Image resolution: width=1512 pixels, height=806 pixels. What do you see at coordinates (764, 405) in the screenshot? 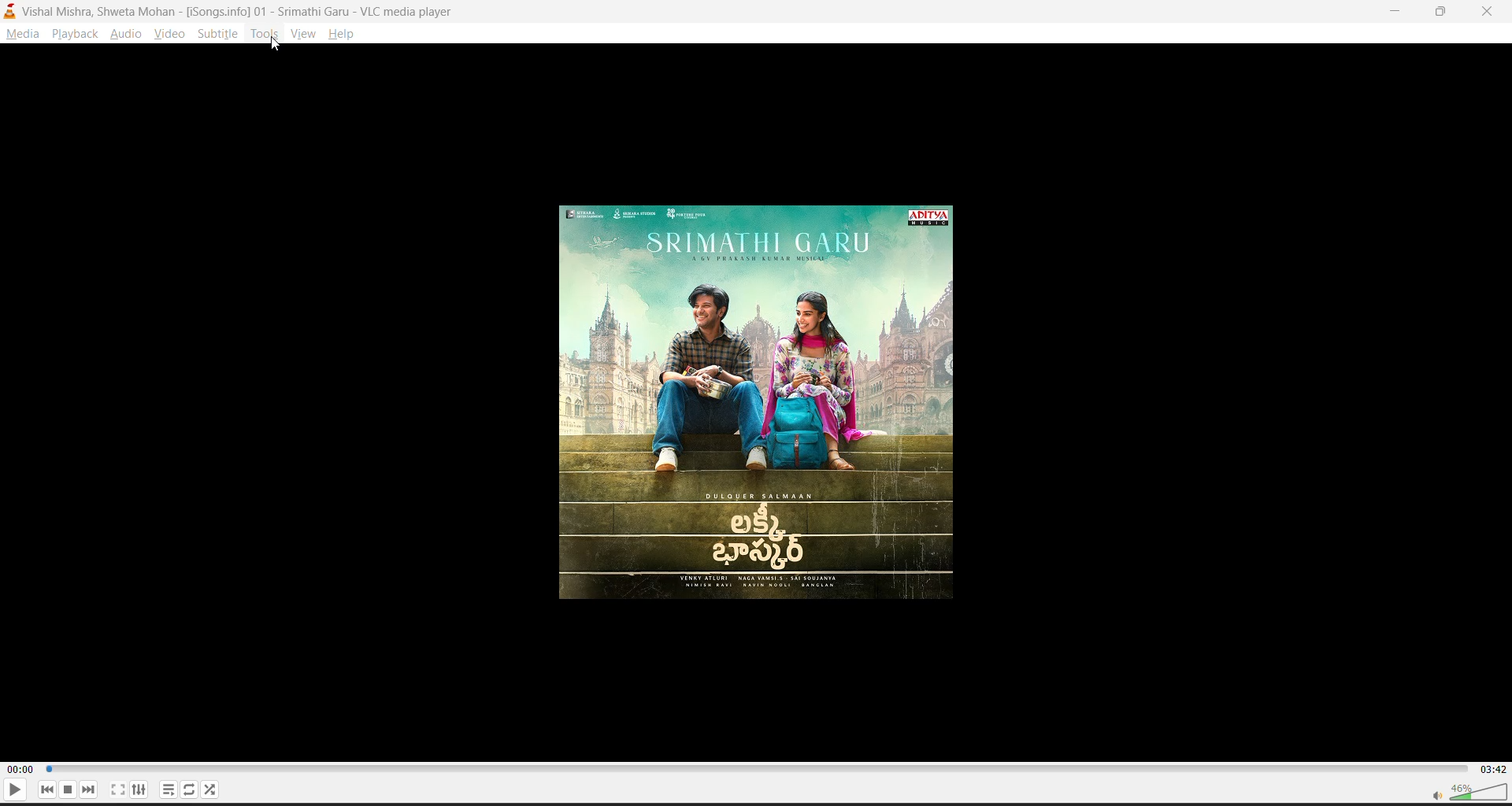
I see `thumbnail` at bounding box center [764, 405].